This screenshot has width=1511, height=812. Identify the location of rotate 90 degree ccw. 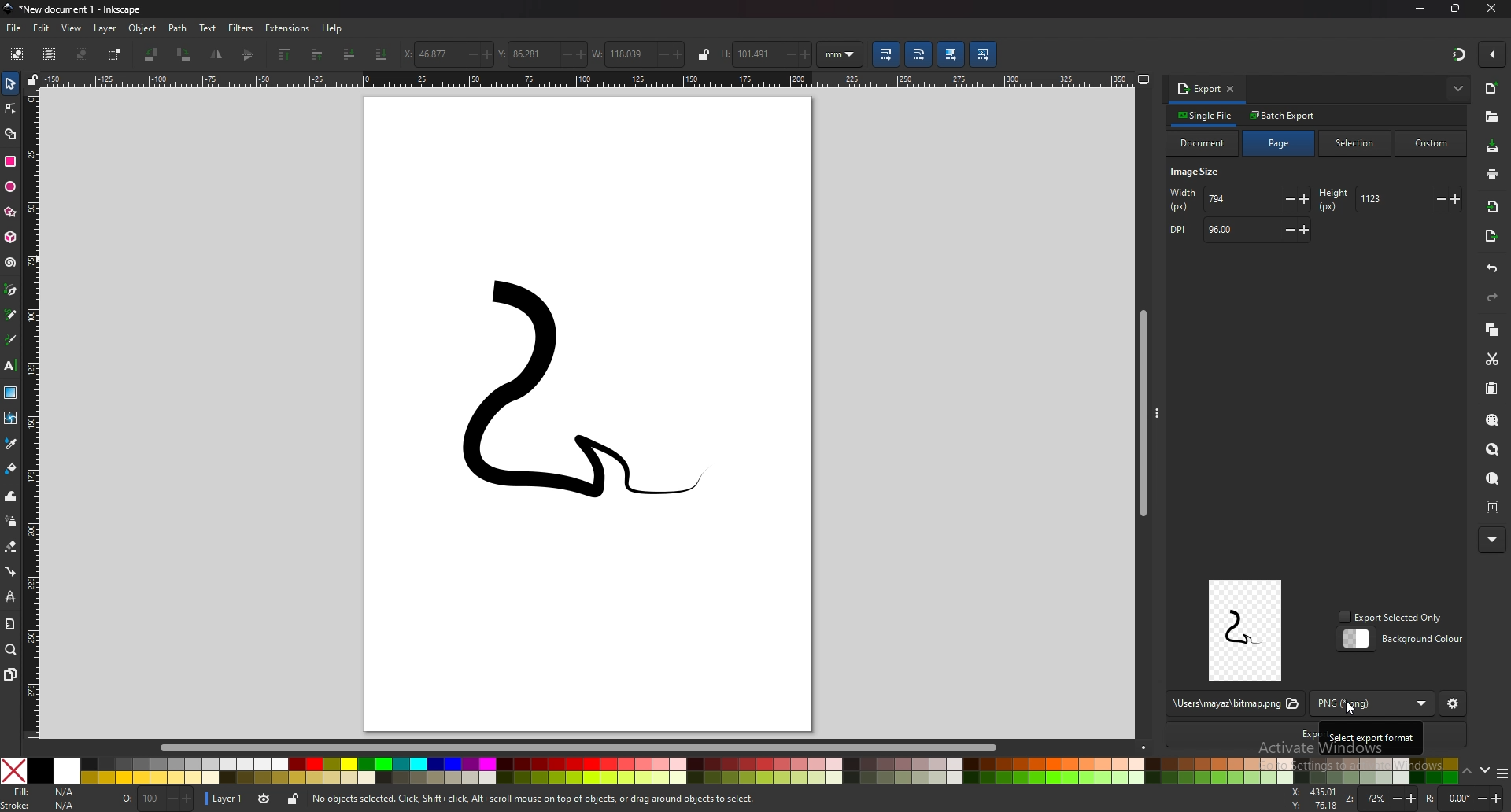
(152, 54).